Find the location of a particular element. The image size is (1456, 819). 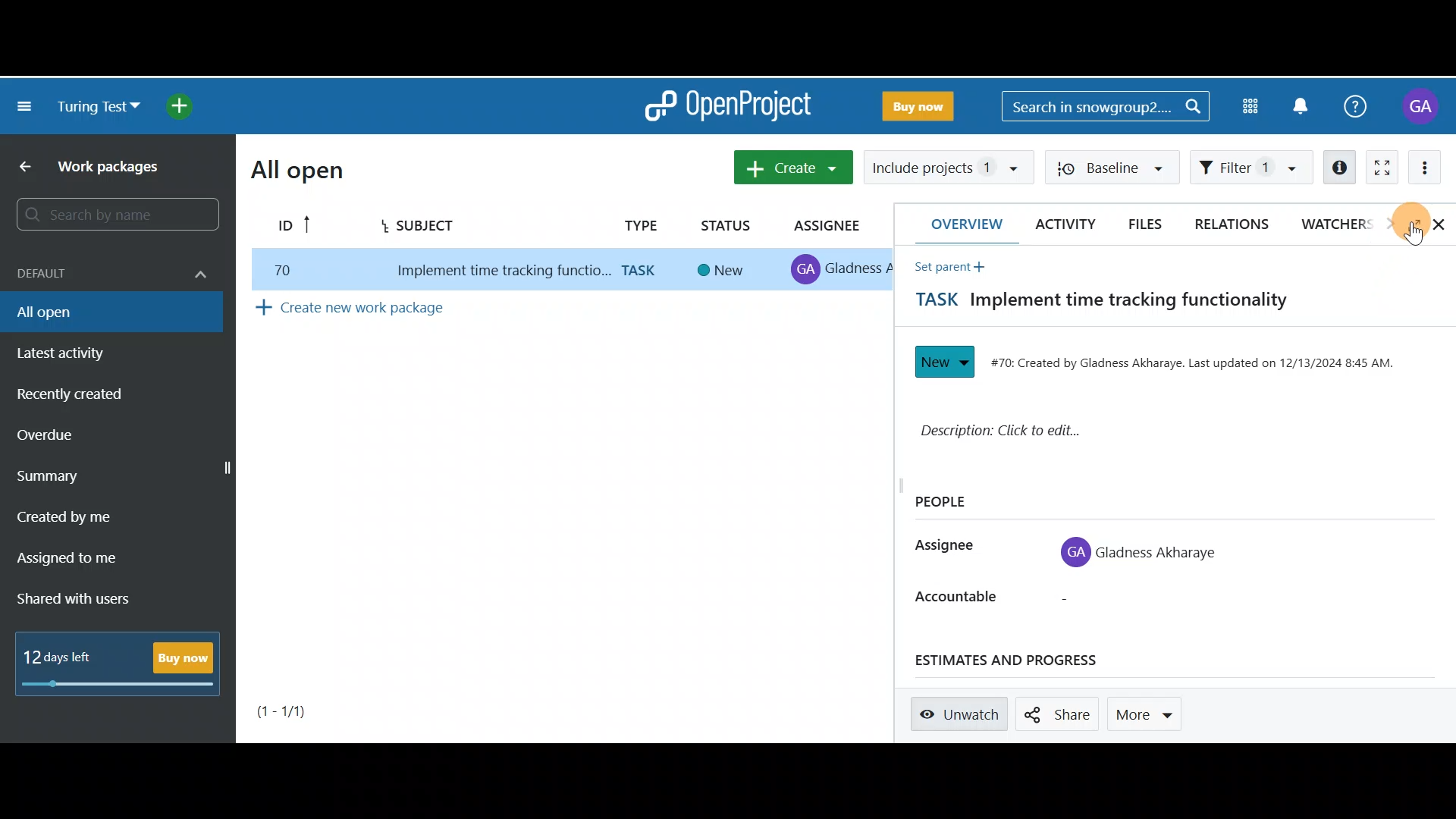

GA Gladness Akharaye is located at coordinates (1133, 551).